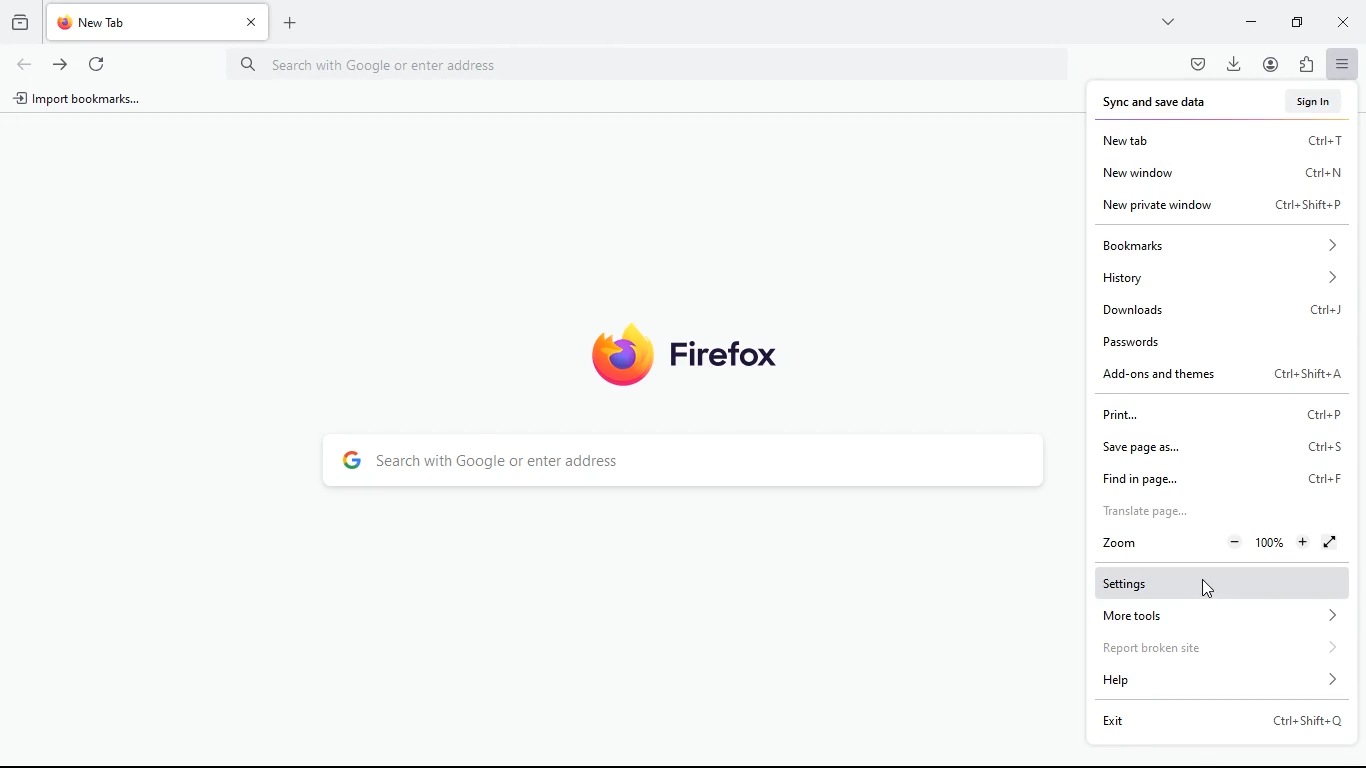 This screenshot has width=1366, height=768. I want to click on report broken site, so click(1232, 648).